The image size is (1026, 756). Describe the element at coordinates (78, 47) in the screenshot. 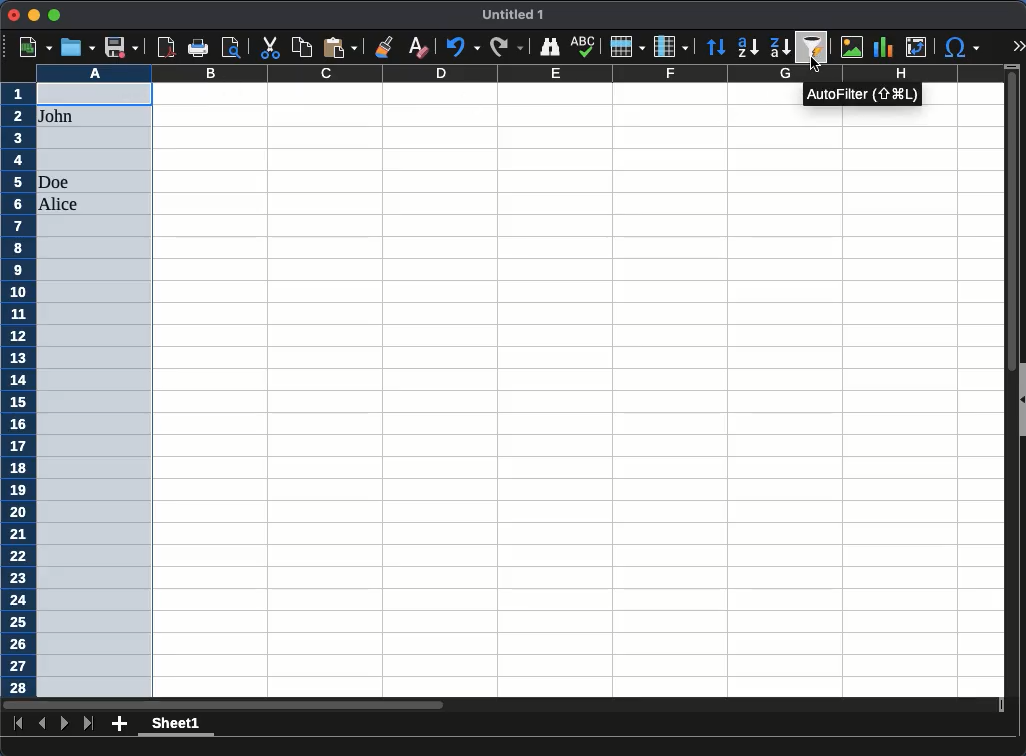

I see `open` at that location.